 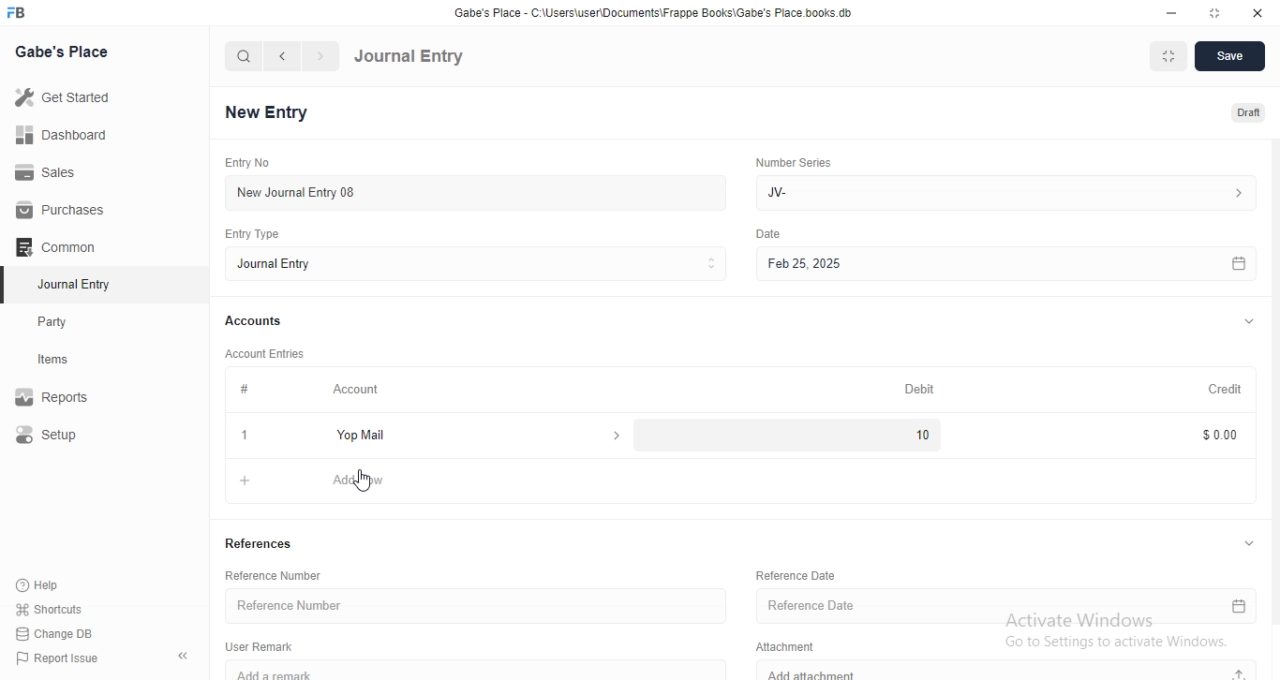 I want to click on Jv-, so click(x=1010, y=191).